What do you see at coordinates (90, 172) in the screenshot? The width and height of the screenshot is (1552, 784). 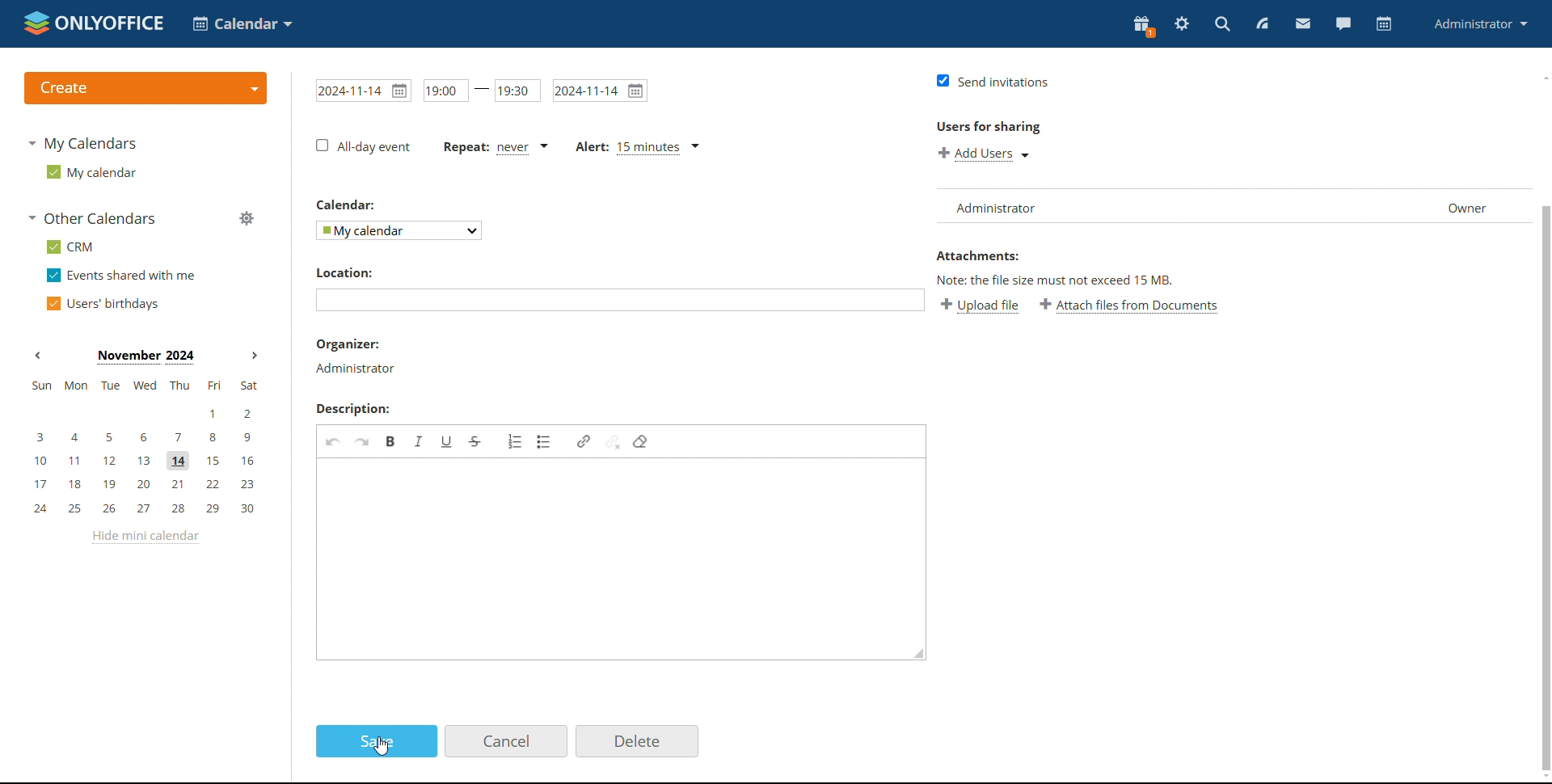 I see `my calendar` at bounding box center [90, 172].